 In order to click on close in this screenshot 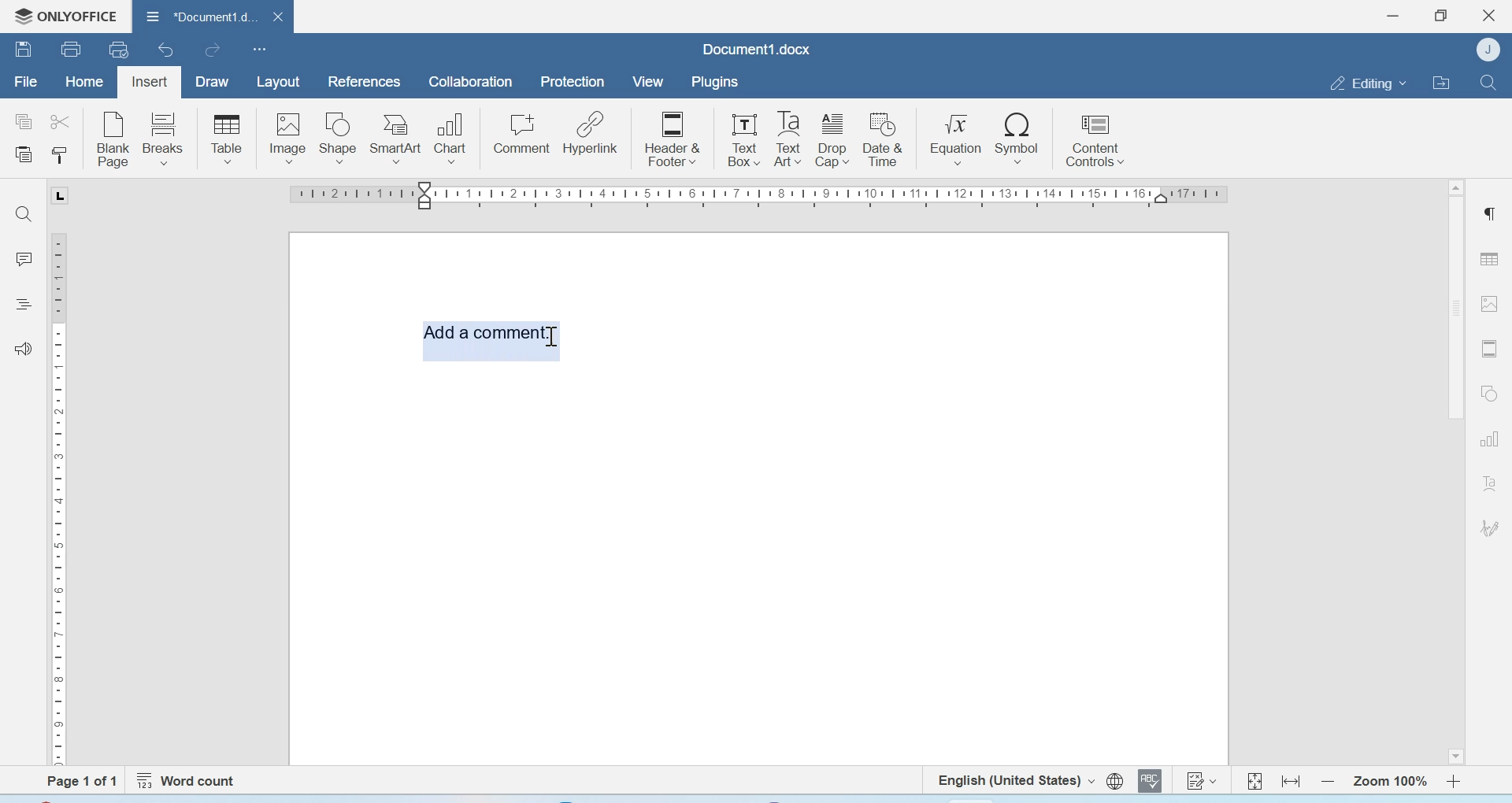, I will do `click(283, 16)`.